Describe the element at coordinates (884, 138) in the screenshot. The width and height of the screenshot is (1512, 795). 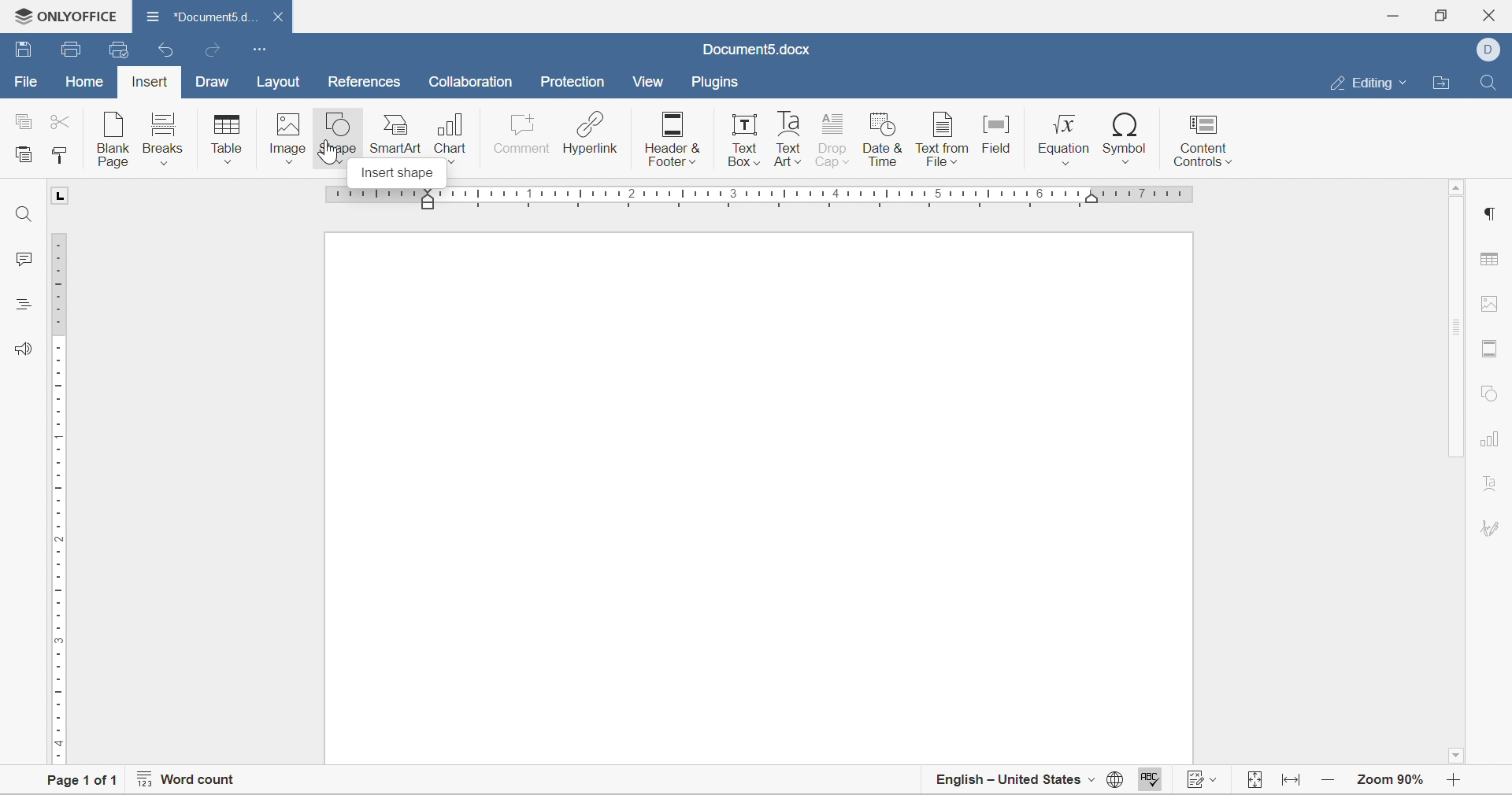
I see `date & time` at that location.